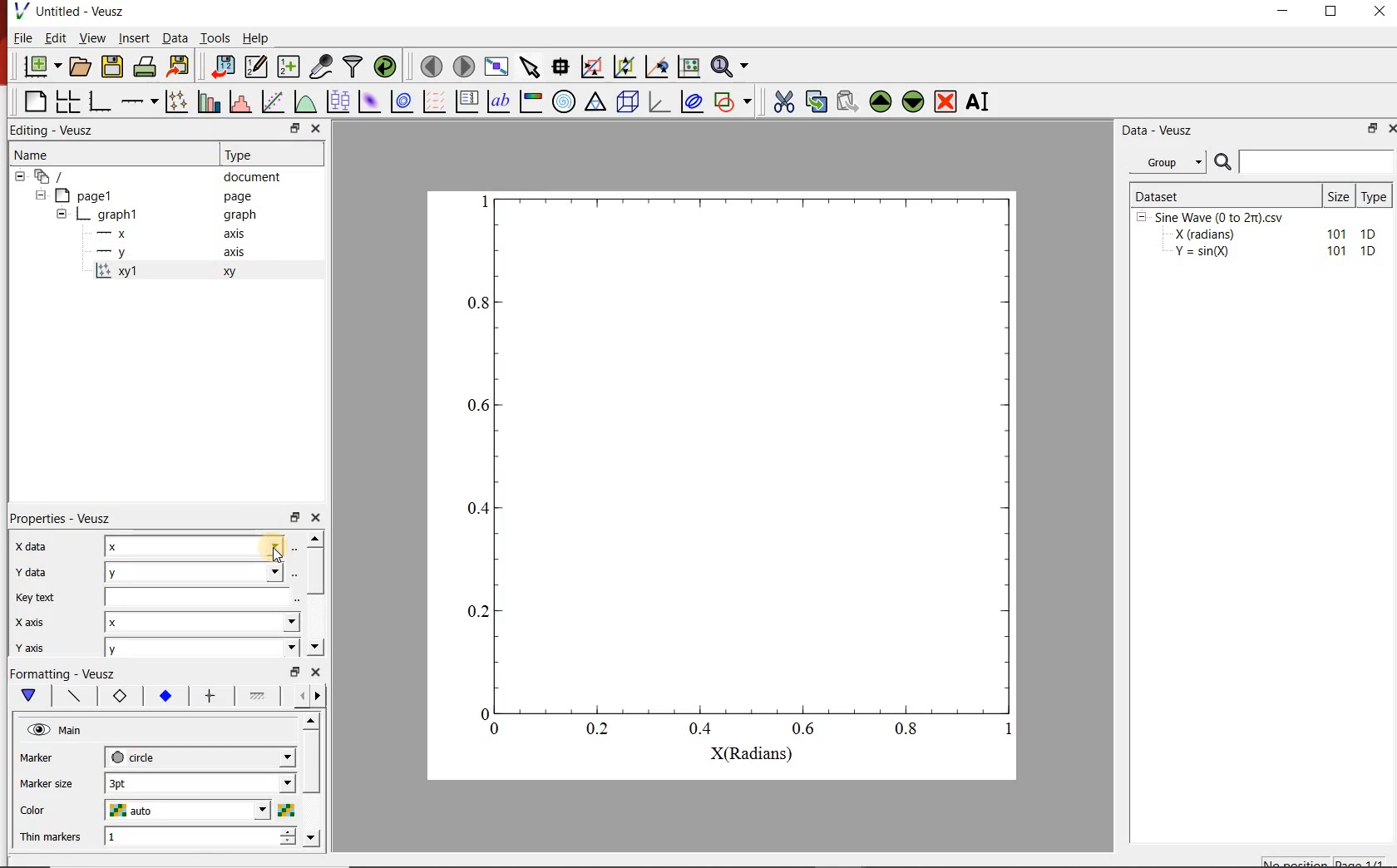 This screenshot has height=868, width=1397. I want to click on plot a vector field, so click(435, 101).